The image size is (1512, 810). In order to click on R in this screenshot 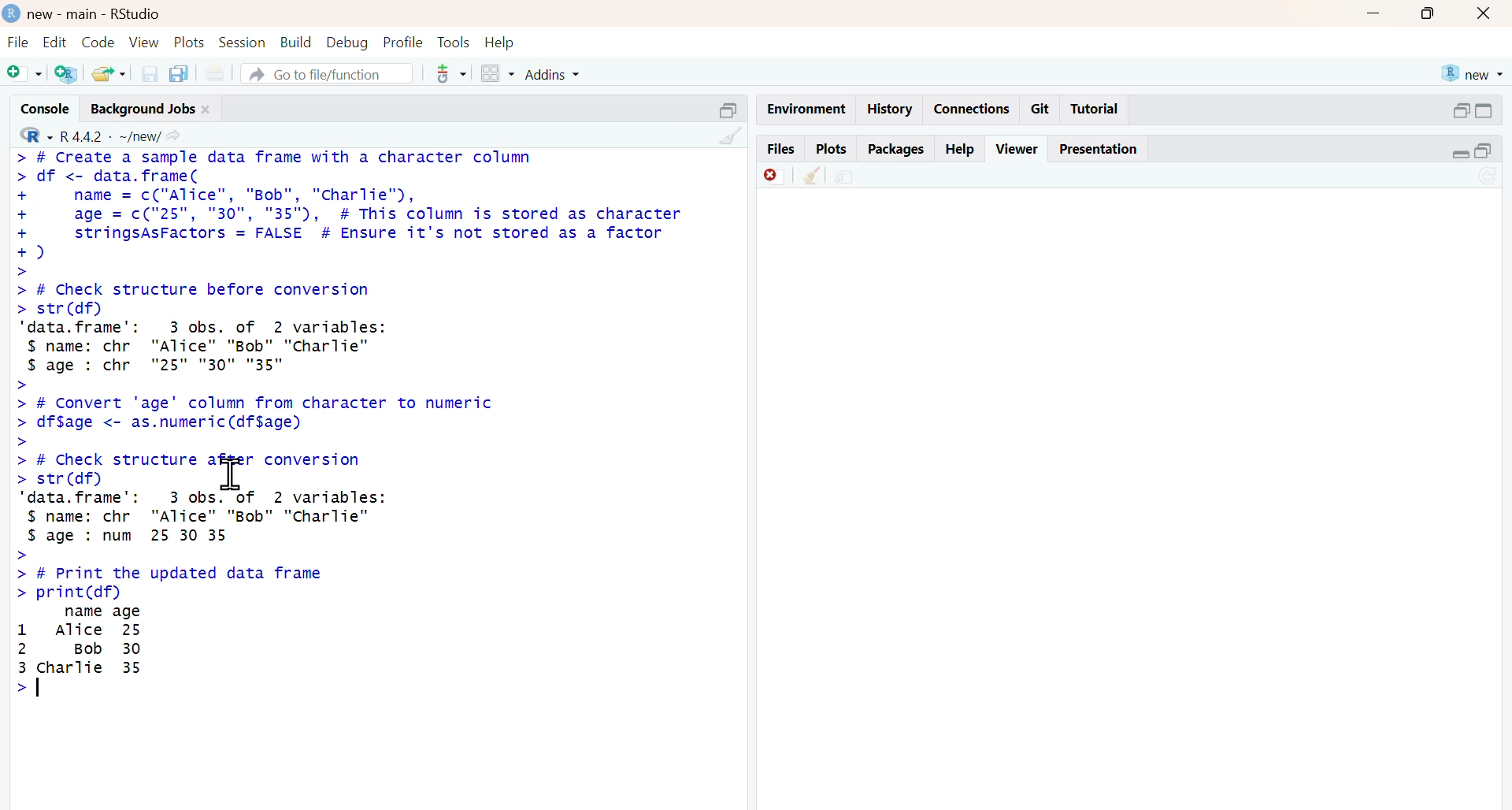, I will do `click(36, 135)`.